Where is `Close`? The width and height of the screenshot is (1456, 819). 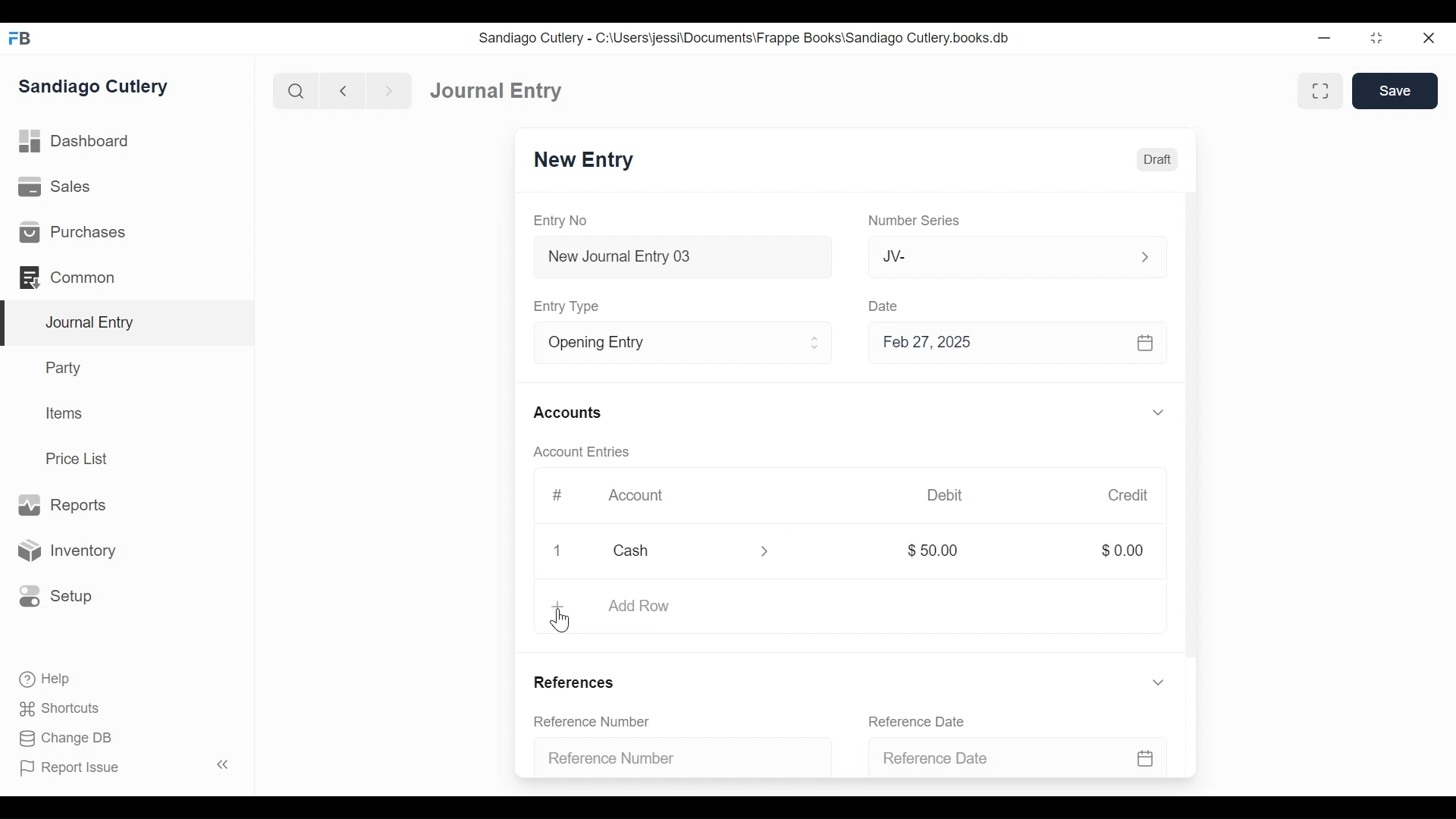 Close is located at coordinates (560, 551).